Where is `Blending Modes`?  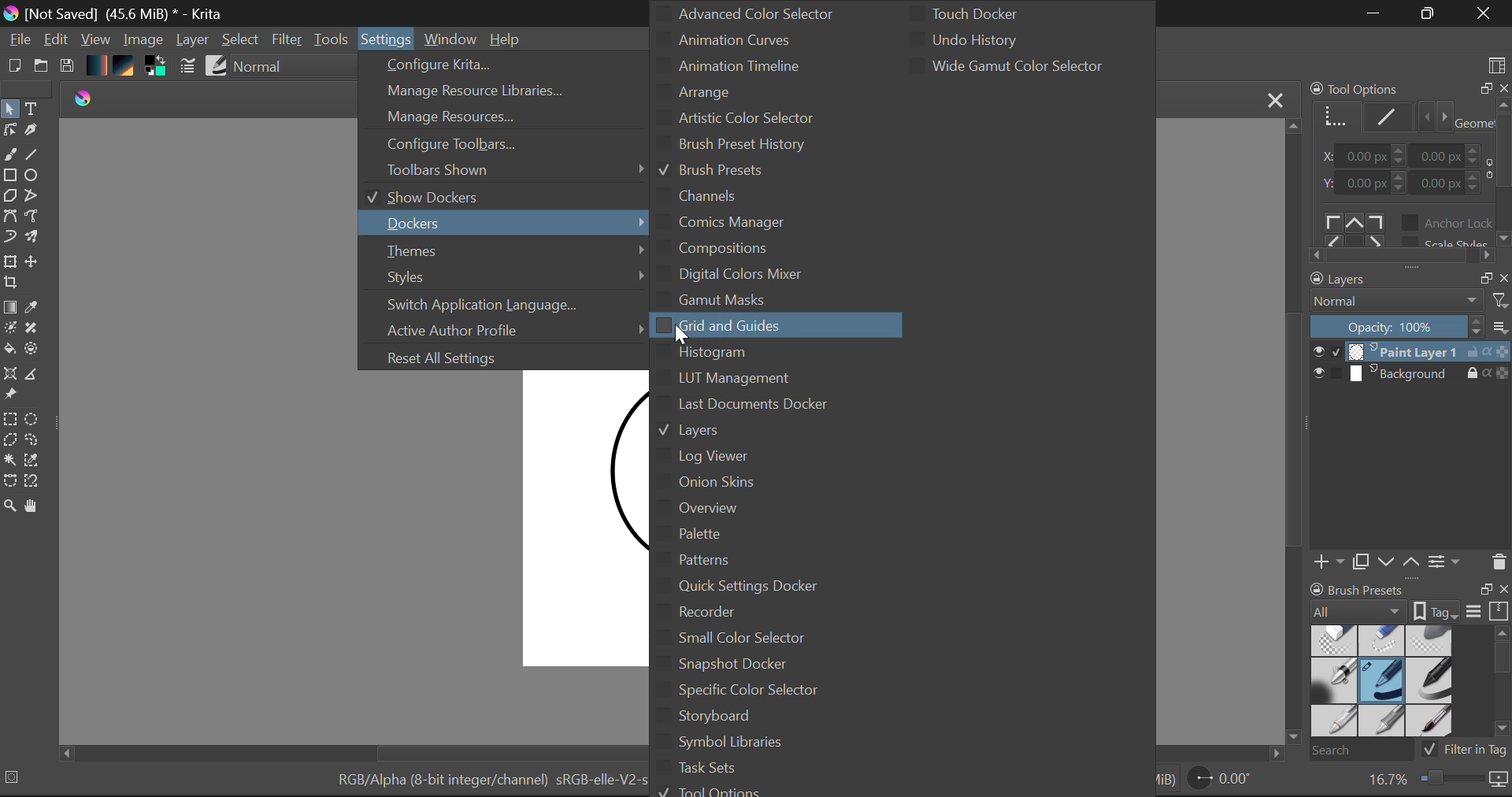
Blending Modes is located at coordinates (289, 68).